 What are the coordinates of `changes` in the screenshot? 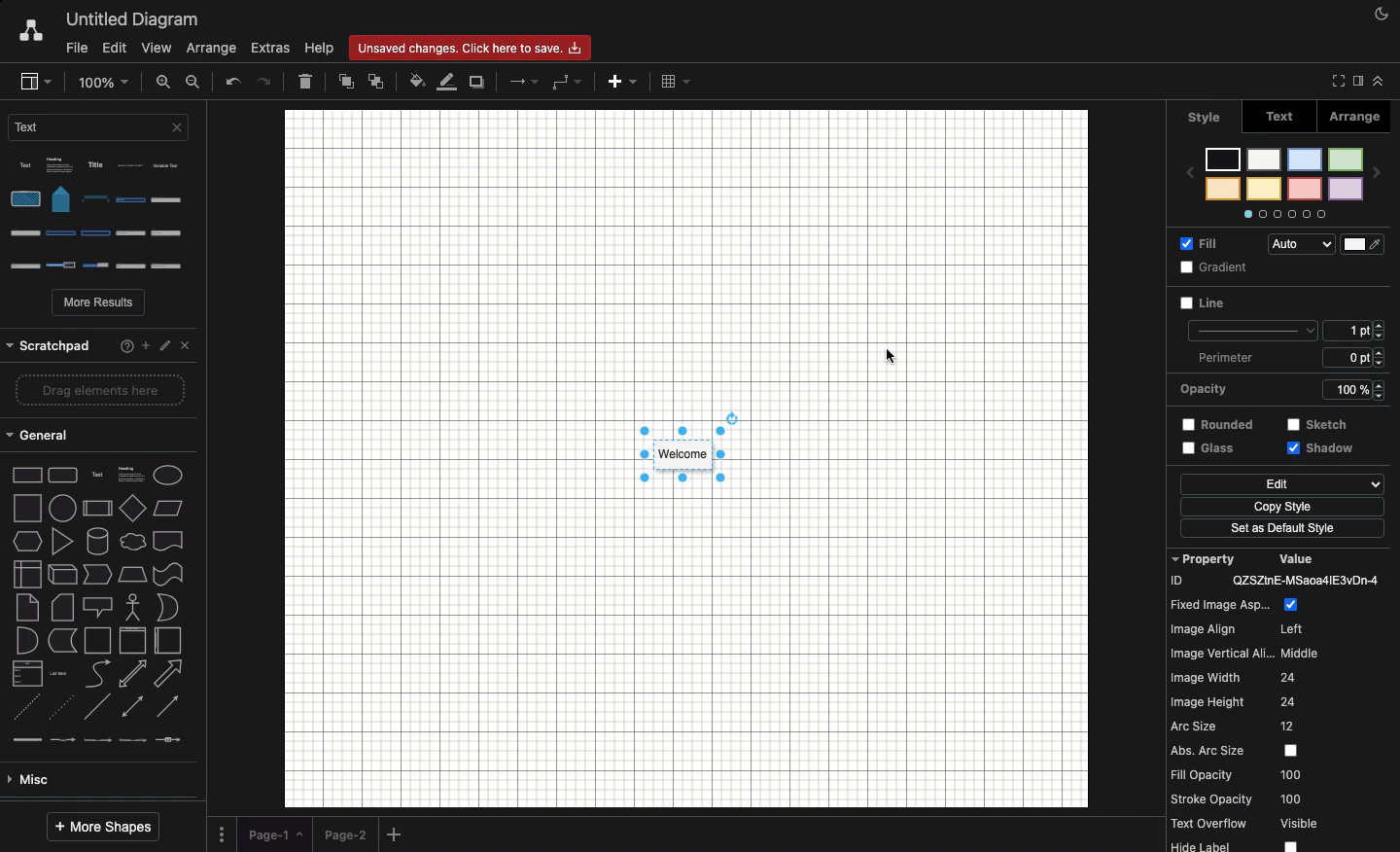 It's located at (475, 47).